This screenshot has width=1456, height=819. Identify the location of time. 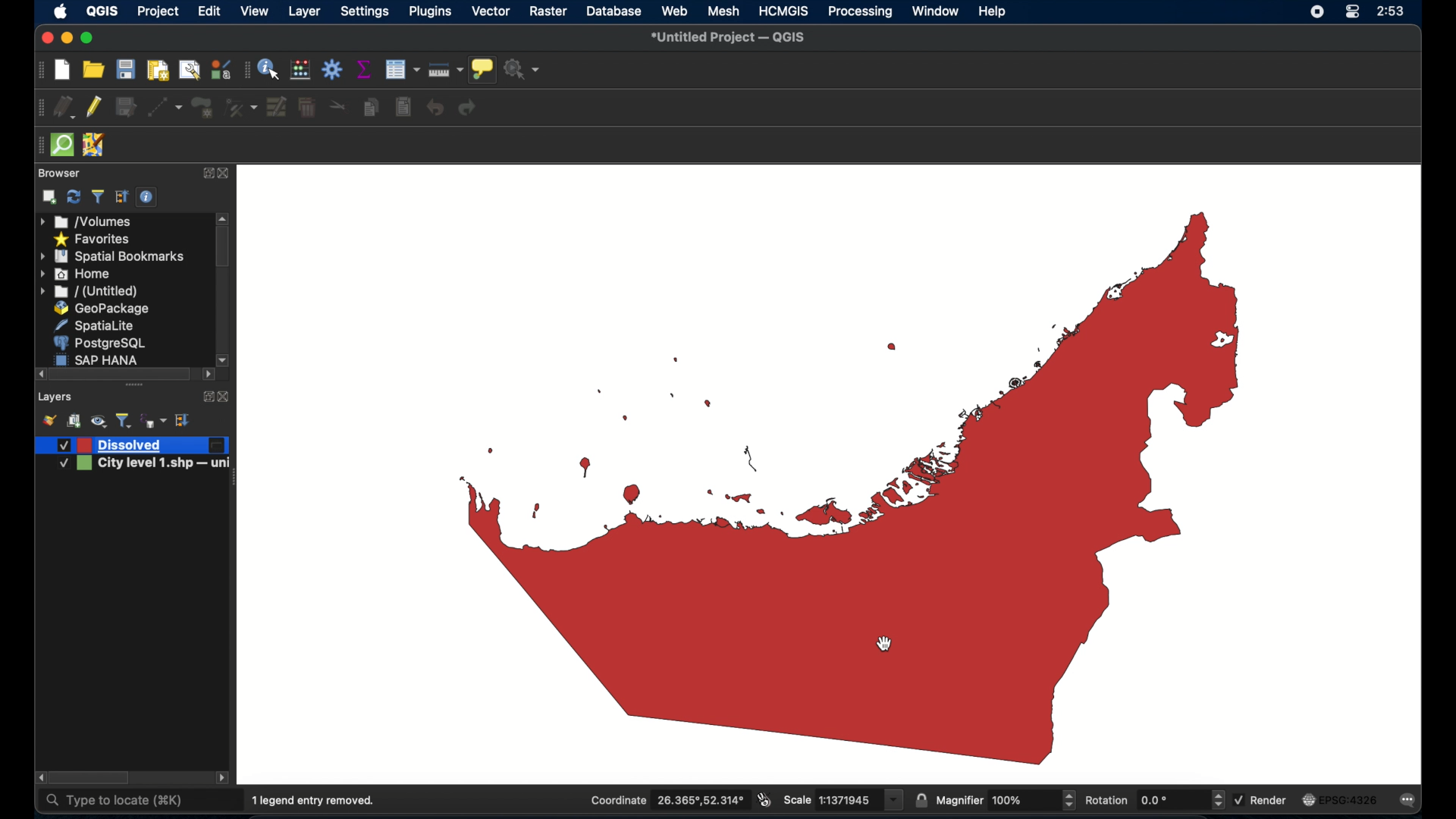
(1392, 12).